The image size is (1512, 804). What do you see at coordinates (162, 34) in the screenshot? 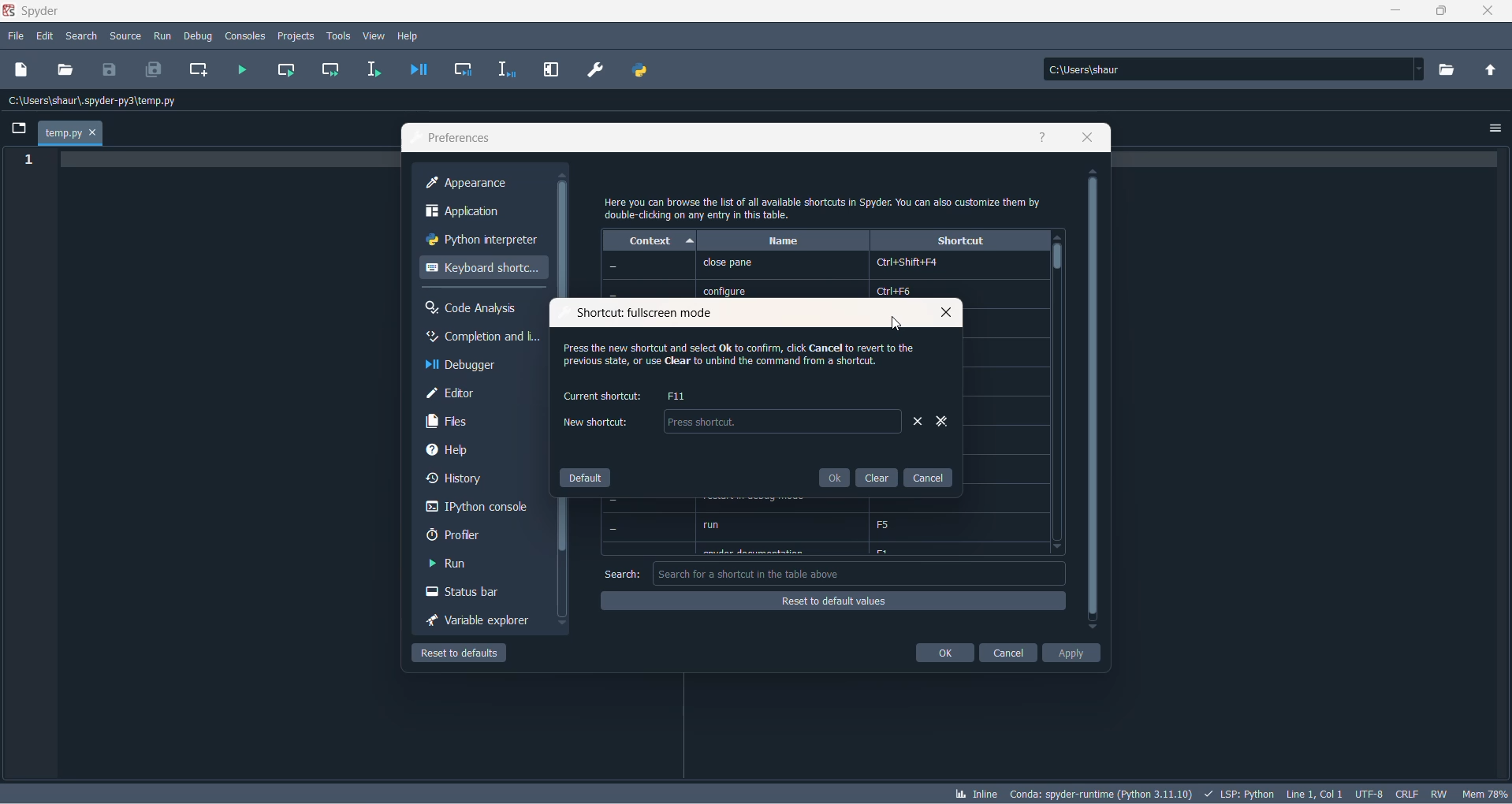
I see `run` at bounding box center [162, 34].